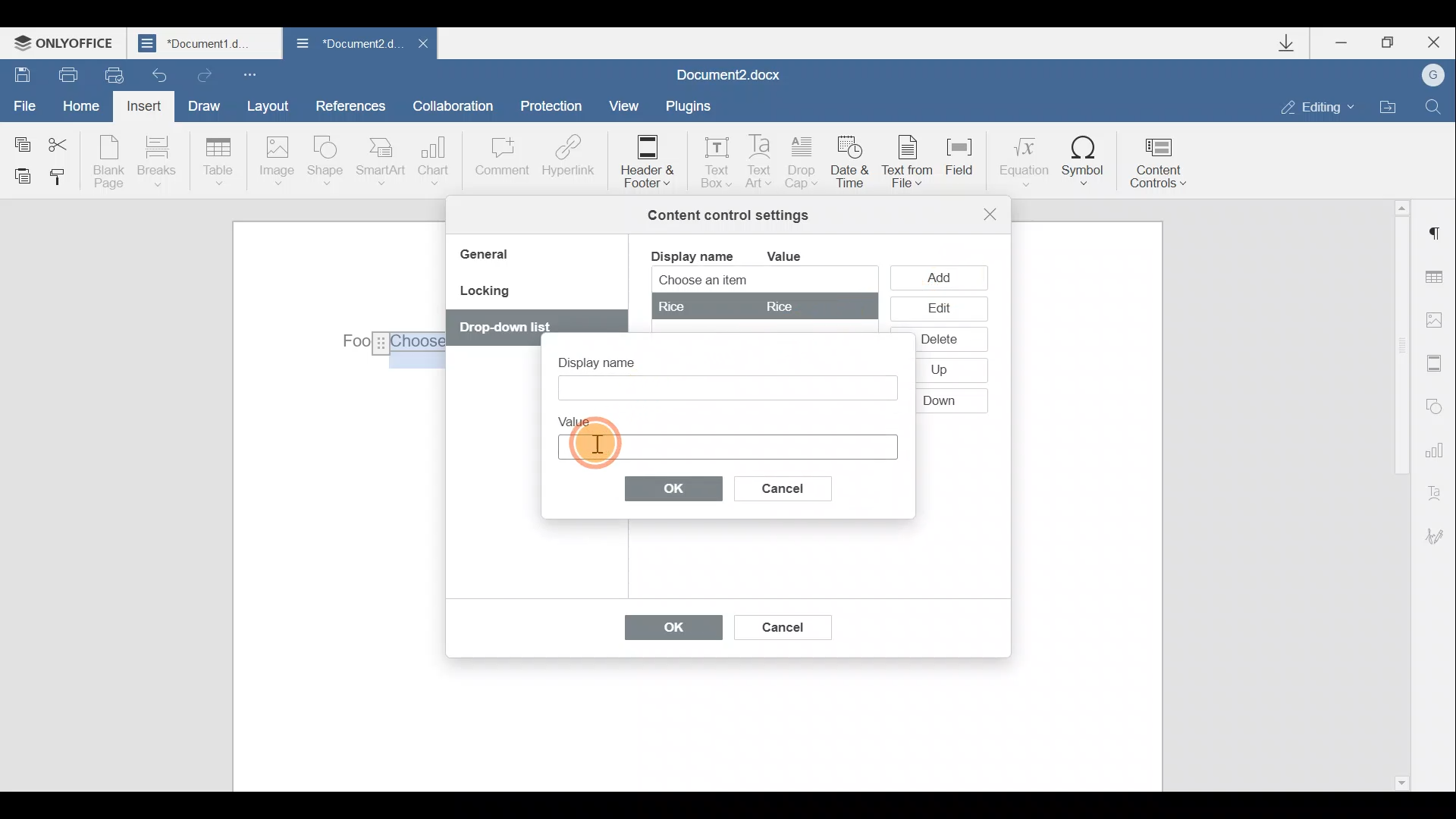 The width and height of the screenshot is (1456, 819). What do you see at coordinates (350, 104) in the screenshot?
I see `References` at bounding box center [350, 104].